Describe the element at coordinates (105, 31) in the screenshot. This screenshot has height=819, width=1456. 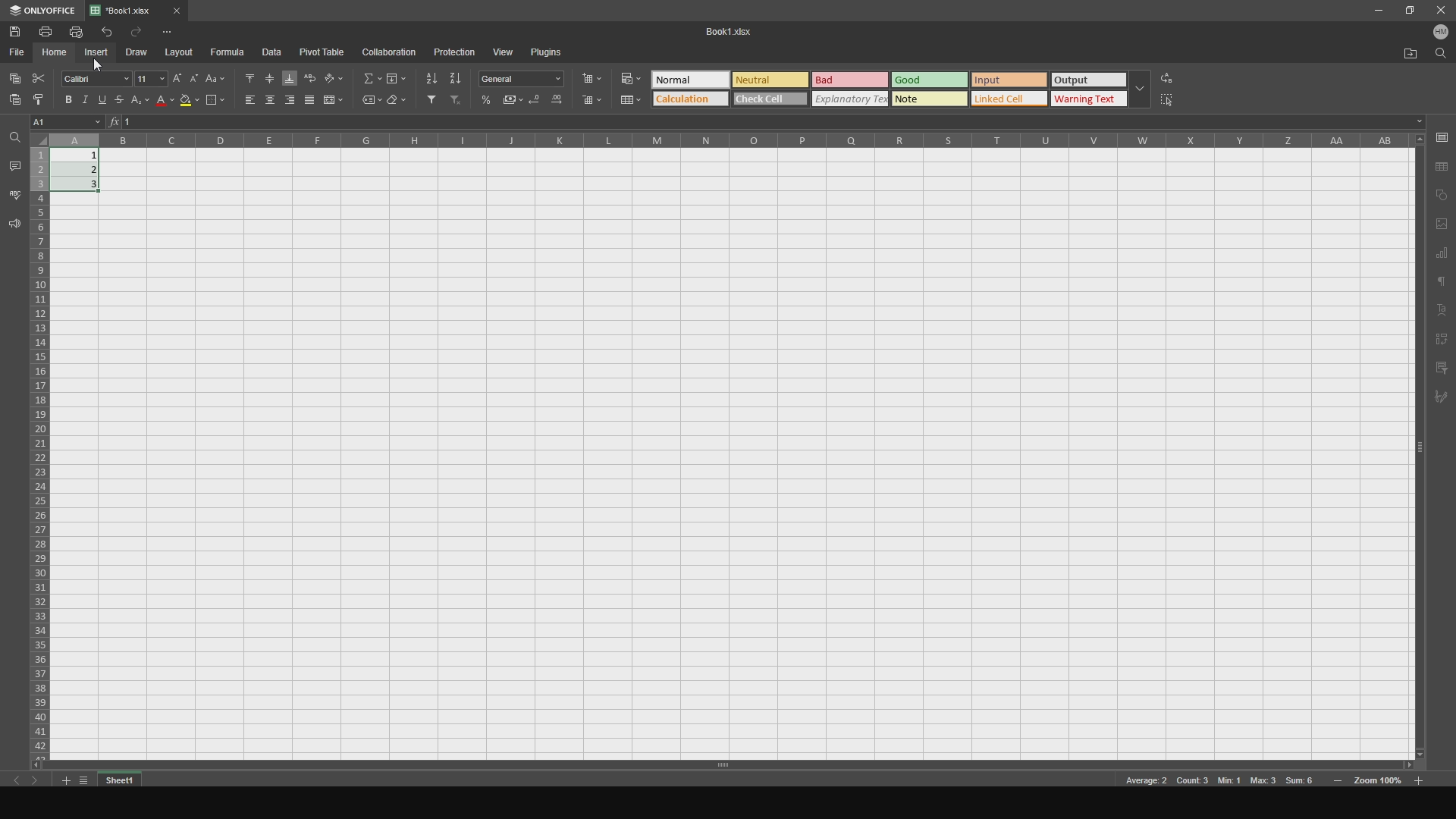
I see `undo` at that location.